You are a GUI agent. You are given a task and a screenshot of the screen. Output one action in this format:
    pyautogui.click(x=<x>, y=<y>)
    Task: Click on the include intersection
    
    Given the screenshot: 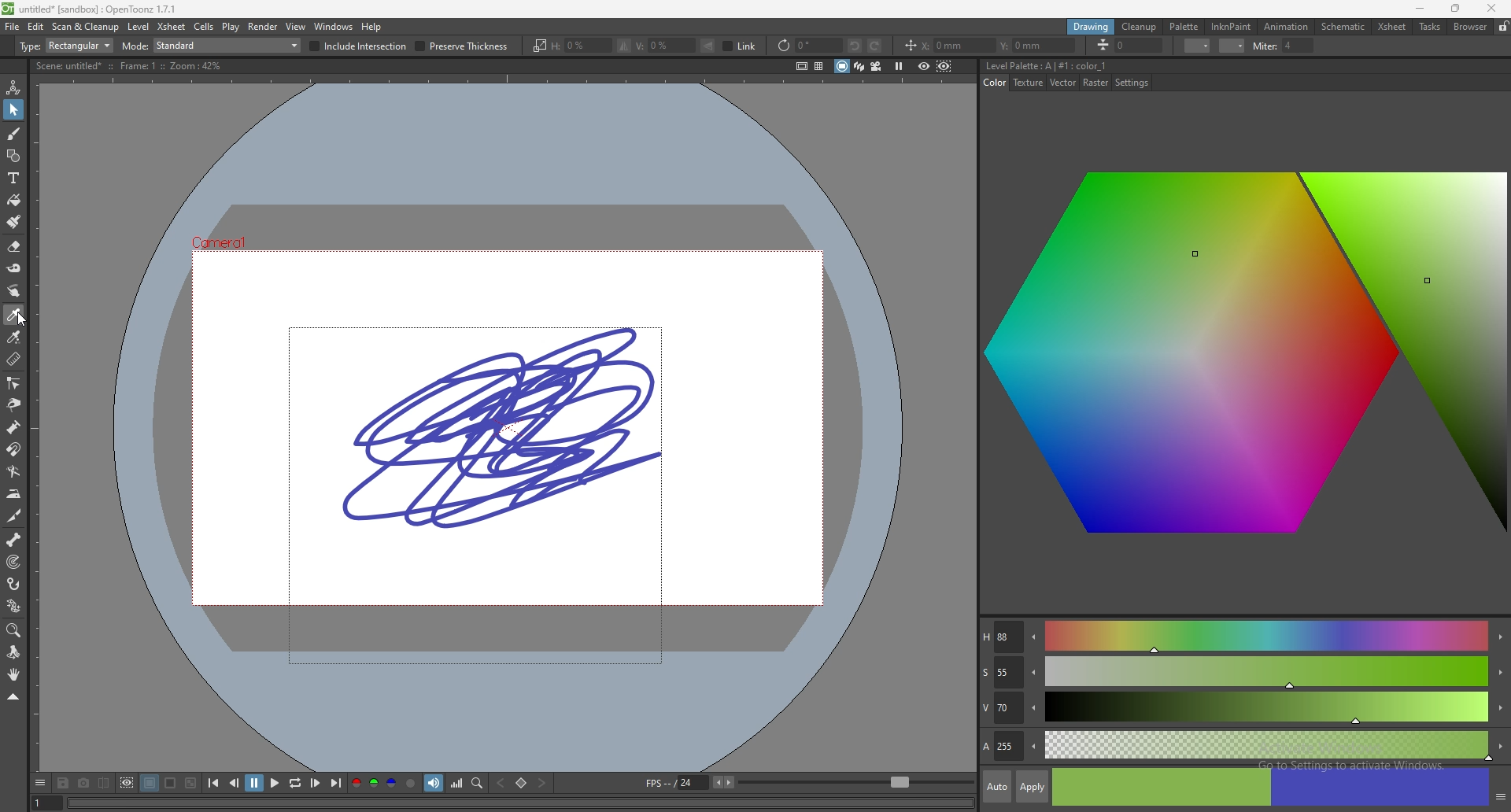 What is the action you would take?
    pyautogui.click(x=359, y=46)
    